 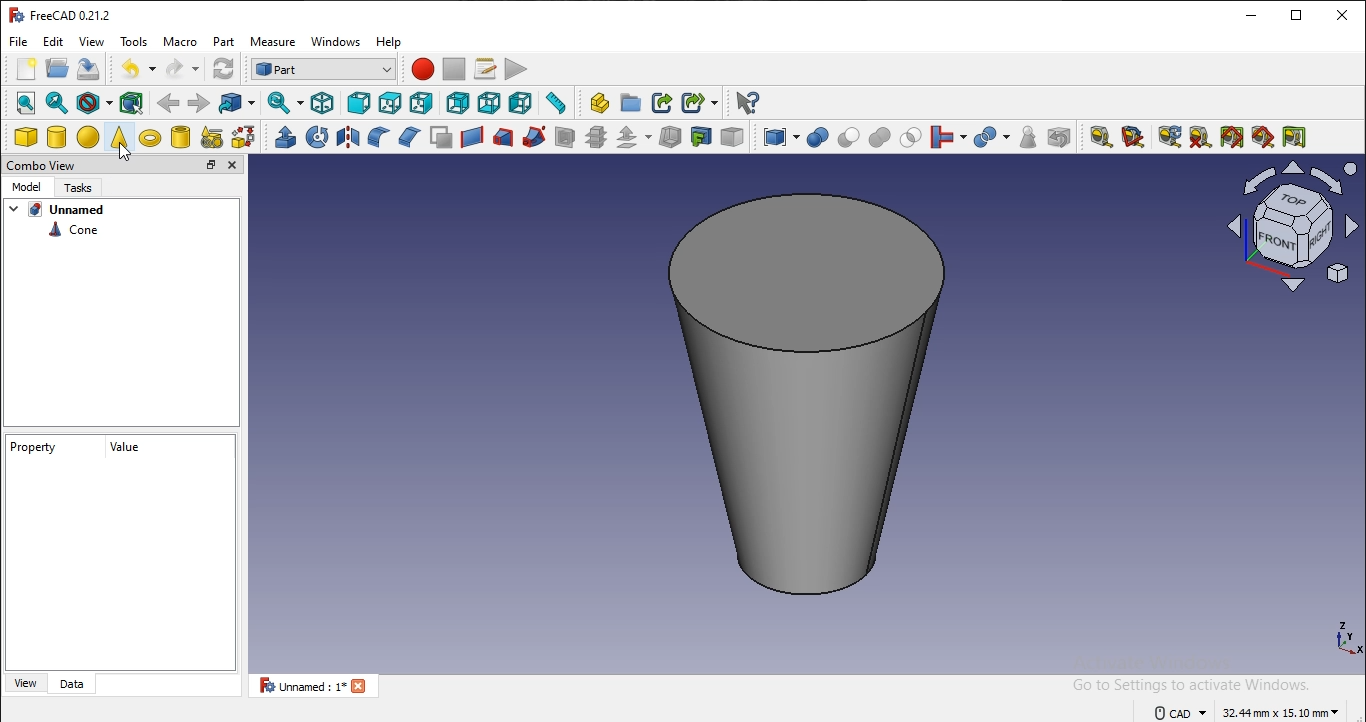 I want to click on refresh, so click(x=225, y=68).